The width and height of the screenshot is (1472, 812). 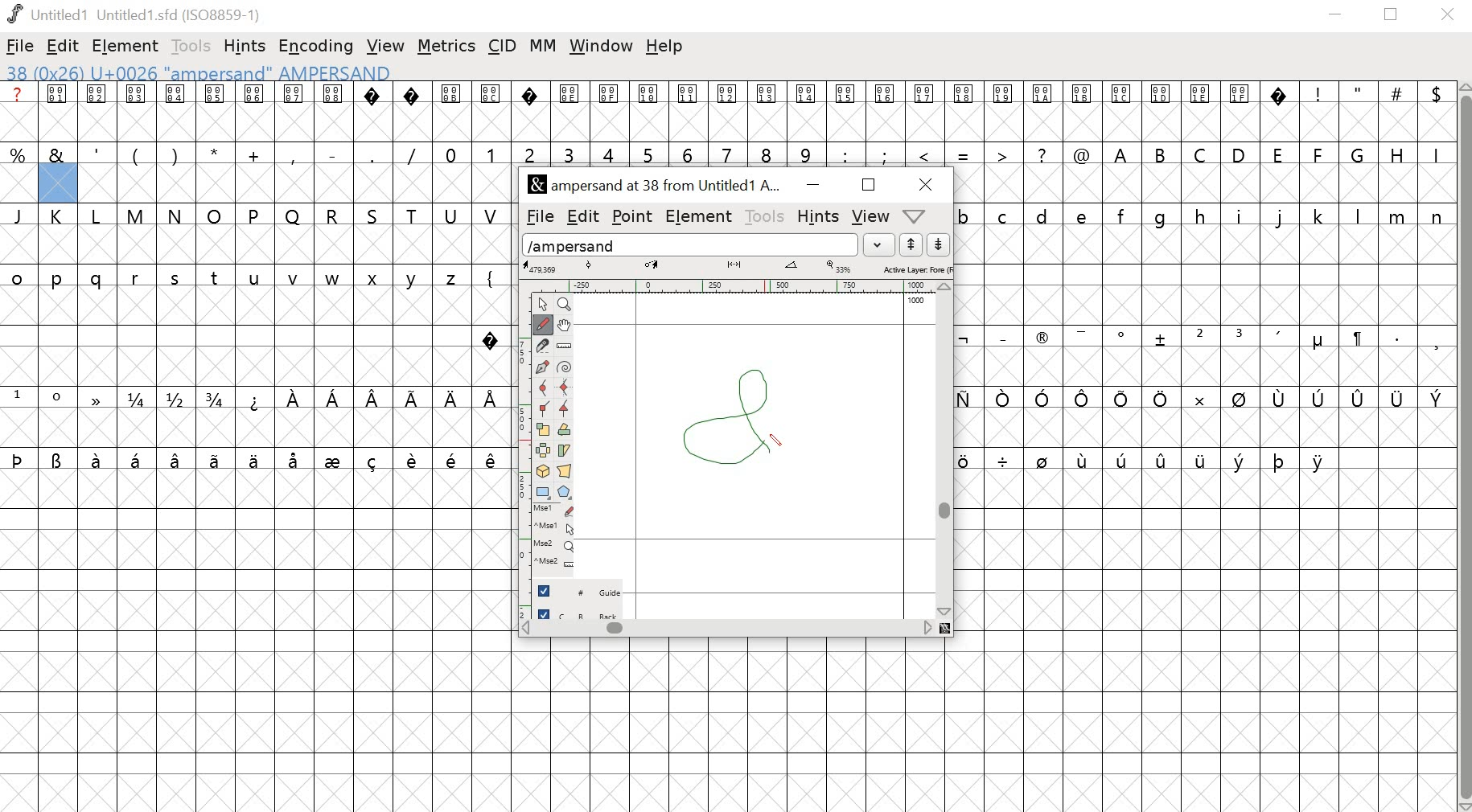 I want to click on ?, so click(x=530, y=112).